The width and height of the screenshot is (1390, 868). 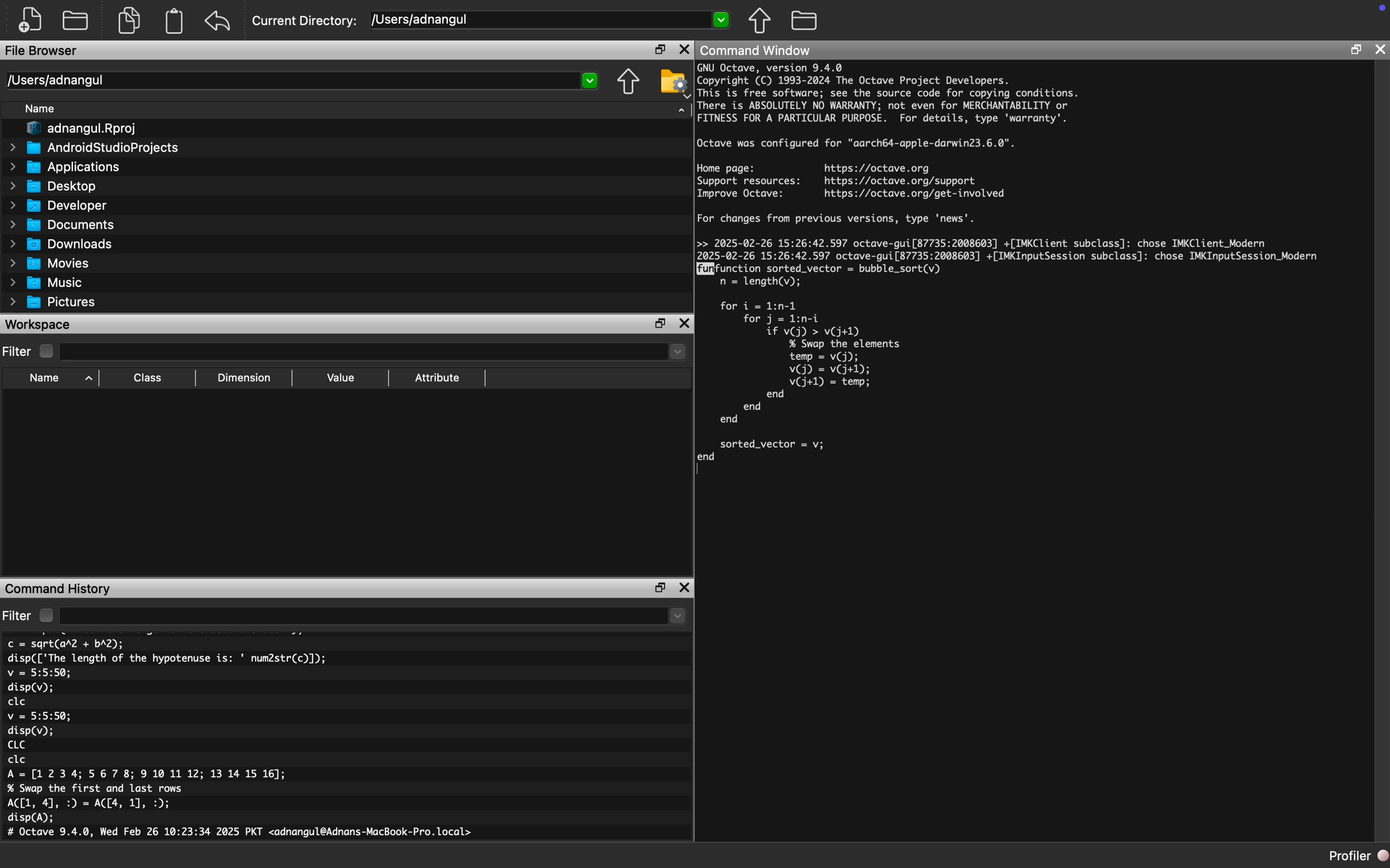 What do you see at coordinates (674, 83) in the screenshot?
I see `Folder Settings` at bounding box center [674, 83].